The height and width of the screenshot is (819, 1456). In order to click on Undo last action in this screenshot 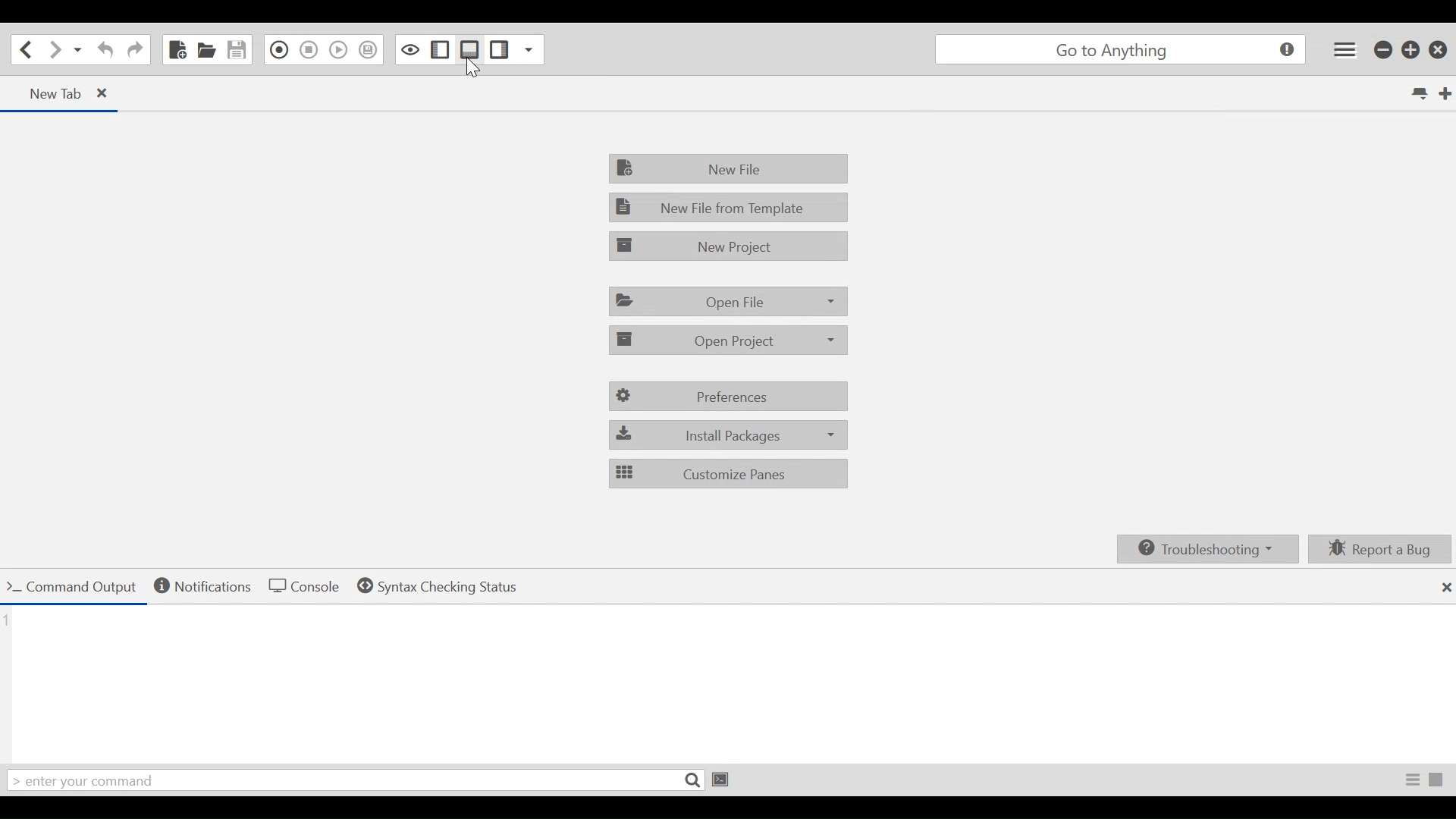, I will do `click(106, 50)`.